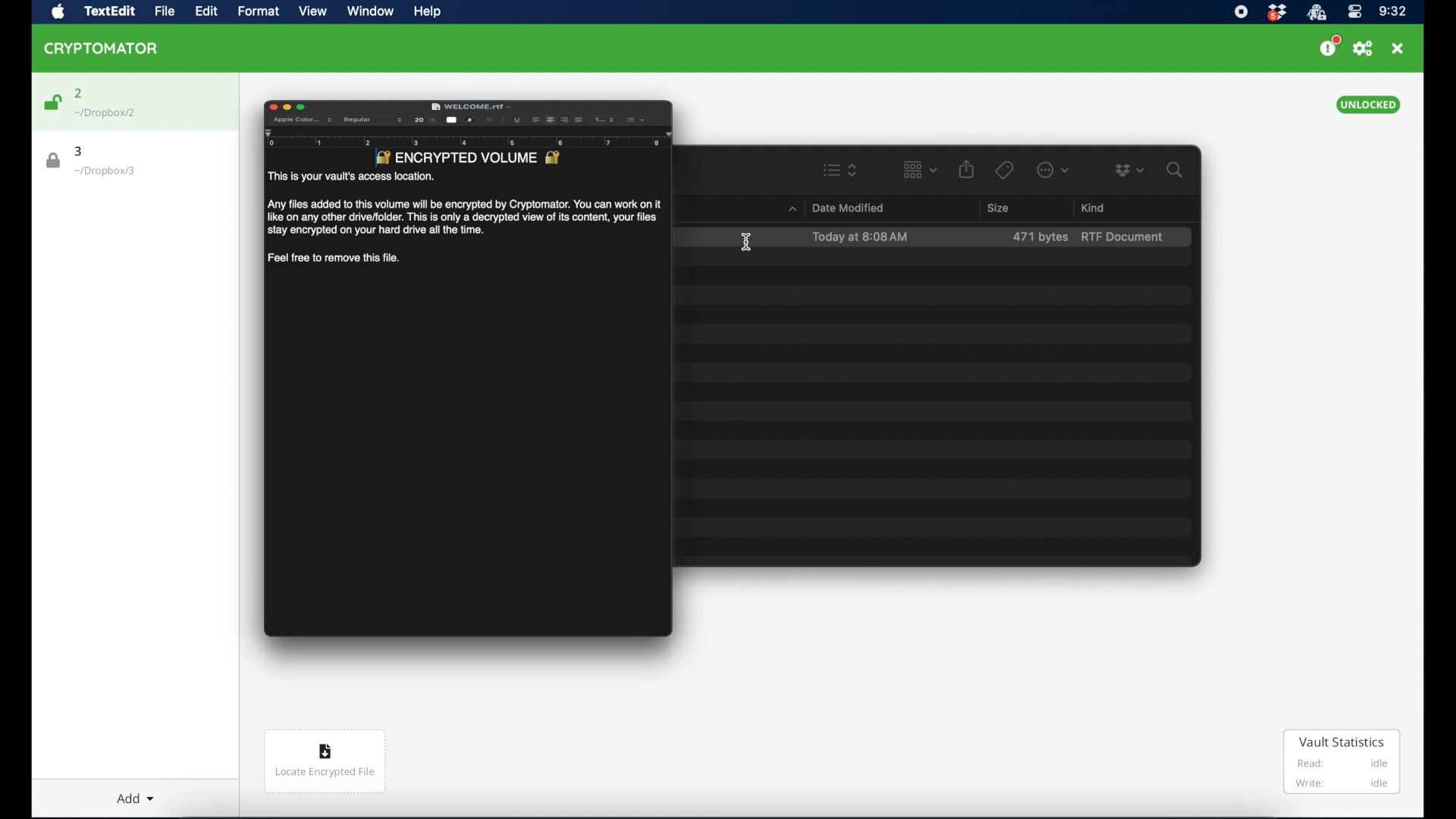 The image size is (1456, 819). Describe the element at coordinates (1040, 237) in the screenshot. I see `471 bytes` at that location.